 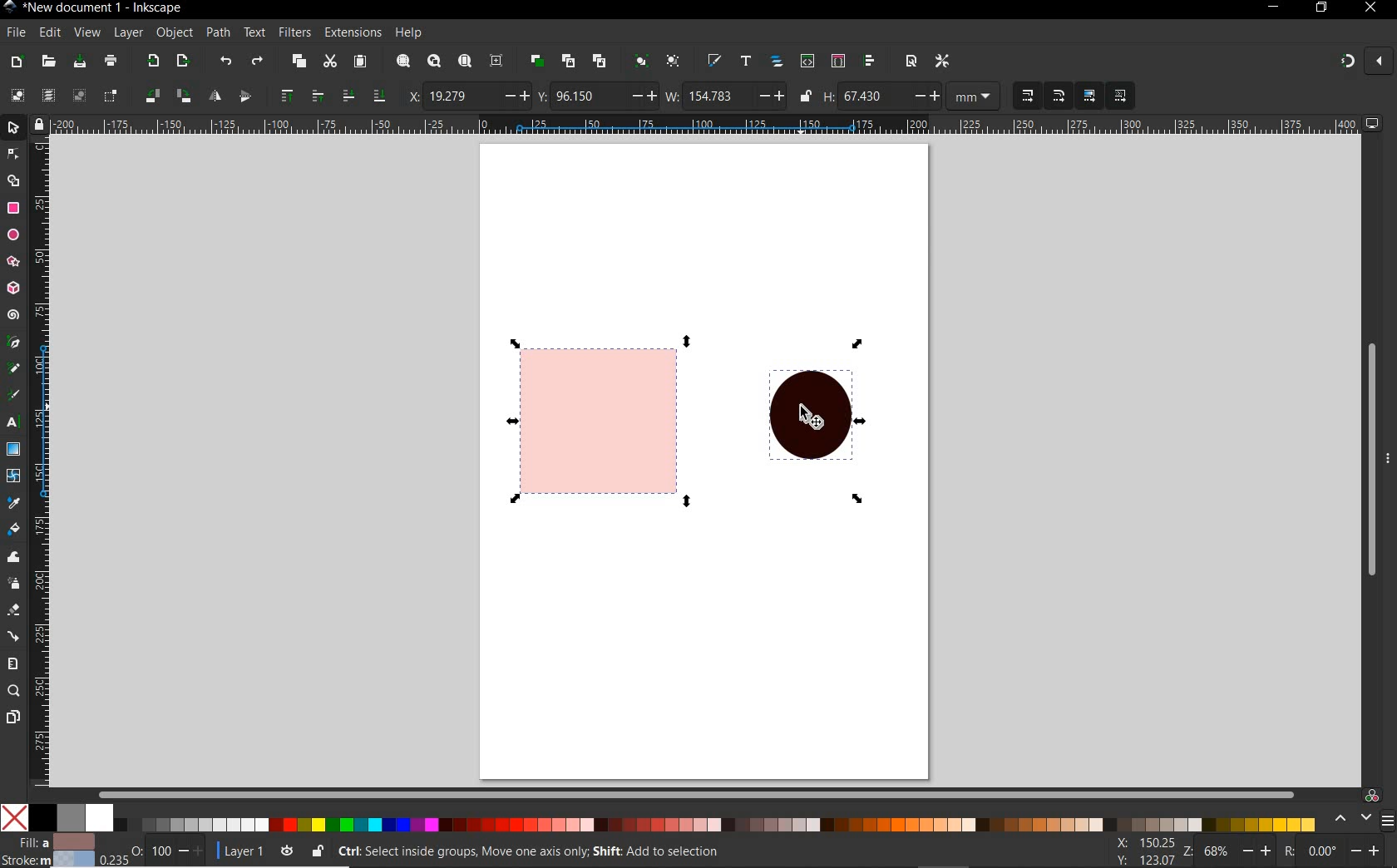 What do you see at coordinates (299, 62) in the screenshot?
I see `copy` at bounding box center [299, 62].